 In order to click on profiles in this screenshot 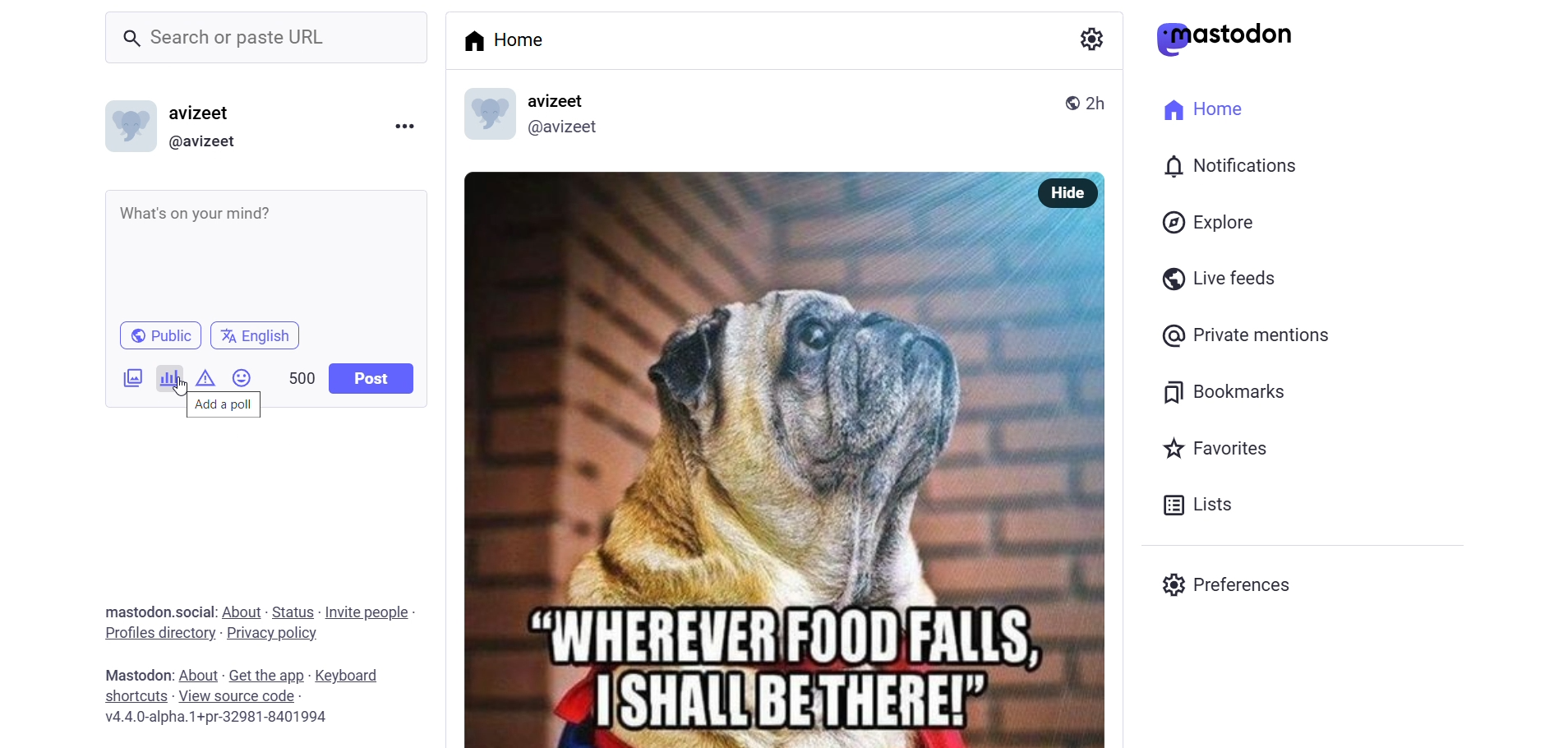, I will do `click(159, 632)`.